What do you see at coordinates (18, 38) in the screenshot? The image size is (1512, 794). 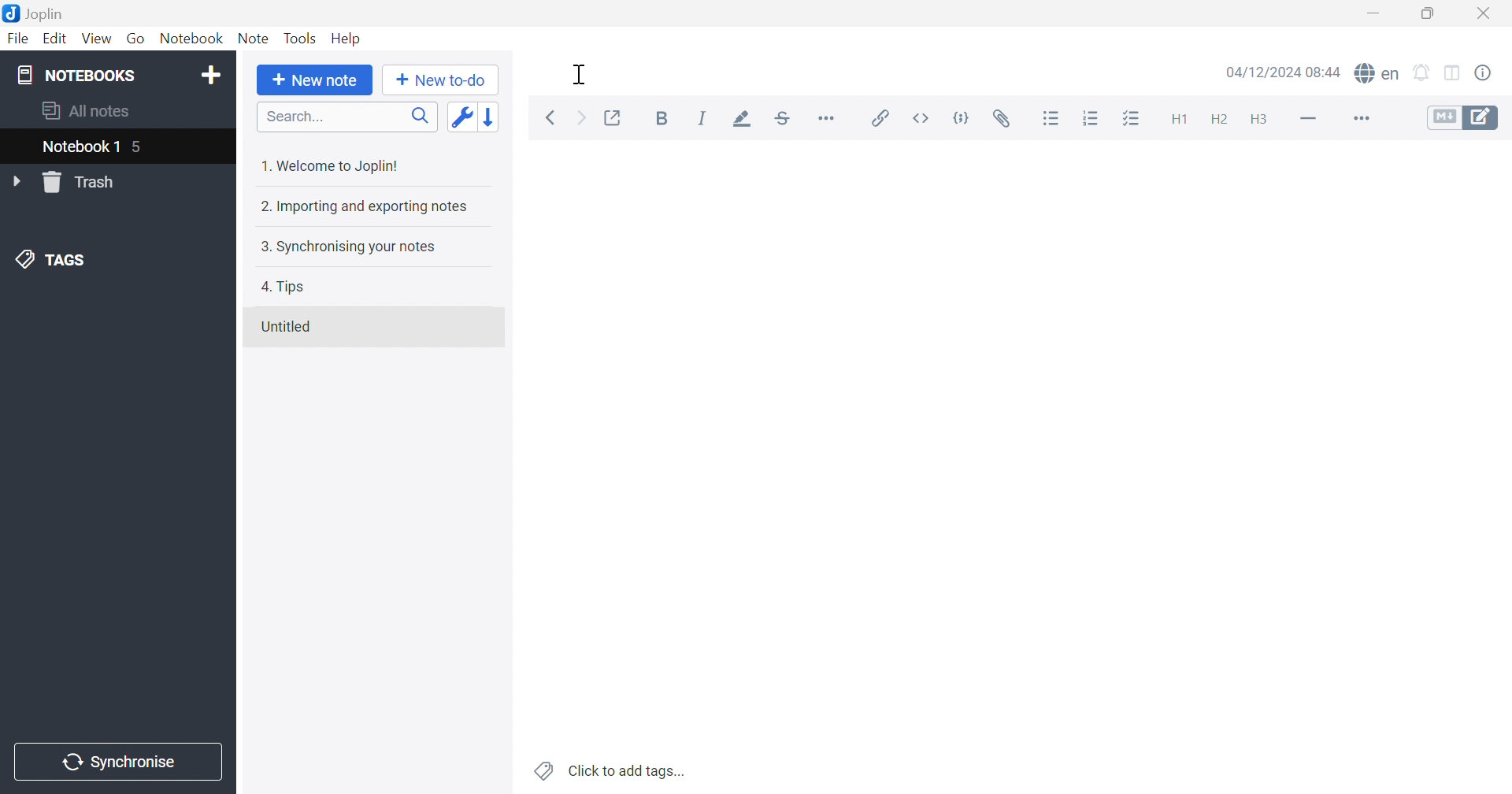 I see `File` at bounding box center [18, 38].